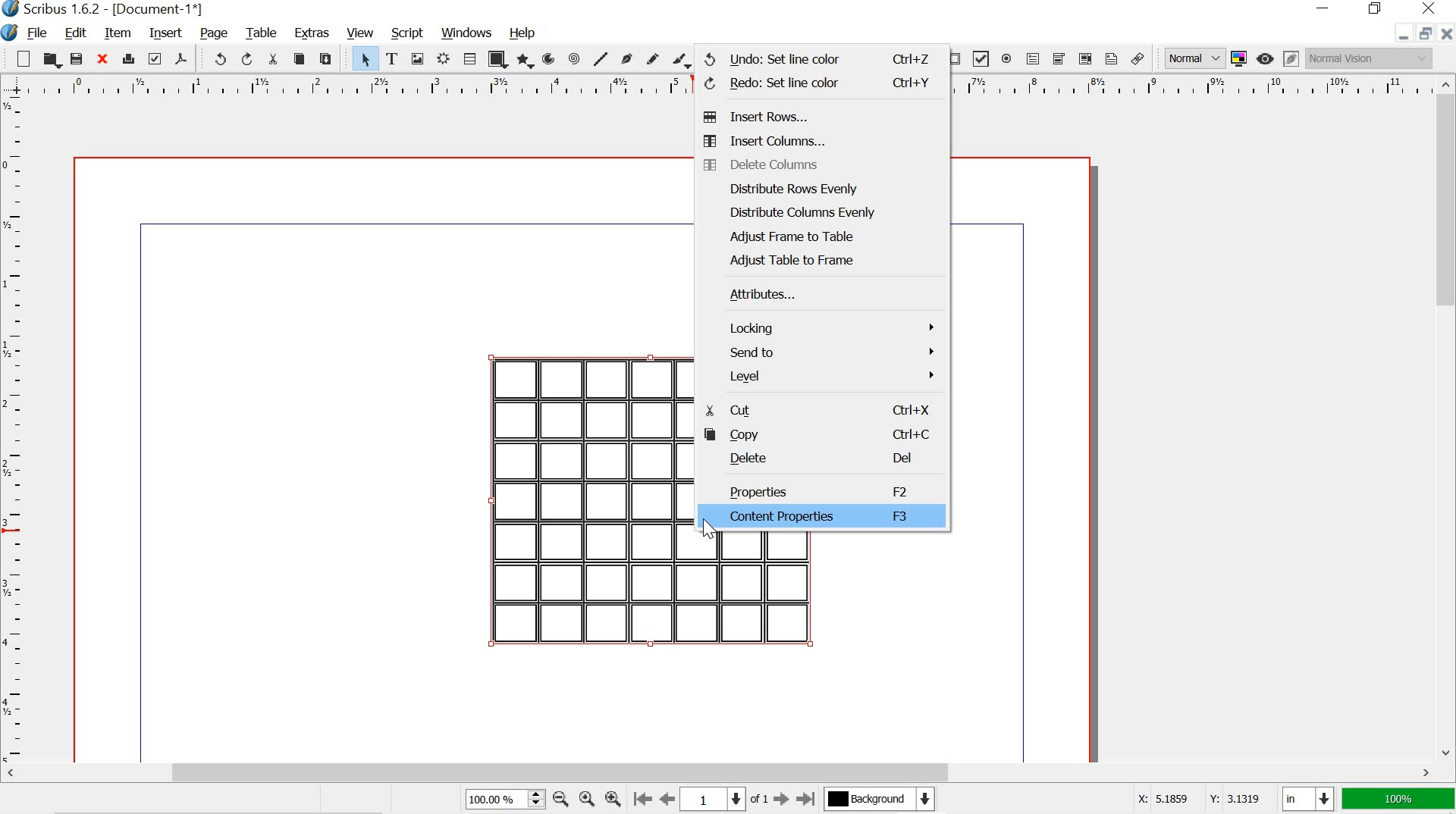  I want to click on new, so click(22, 58).